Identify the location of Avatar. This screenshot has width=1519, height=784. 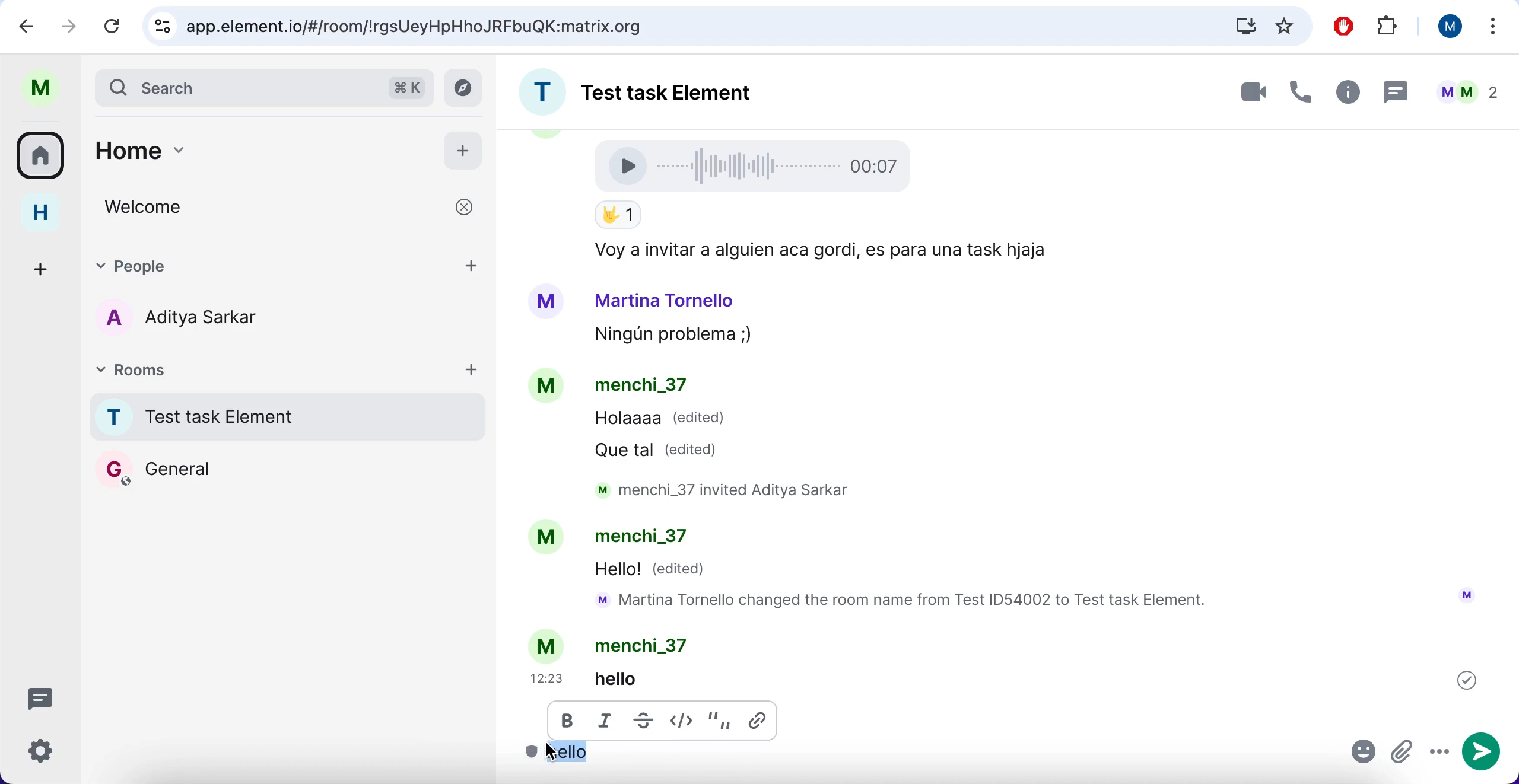
(545, 538).